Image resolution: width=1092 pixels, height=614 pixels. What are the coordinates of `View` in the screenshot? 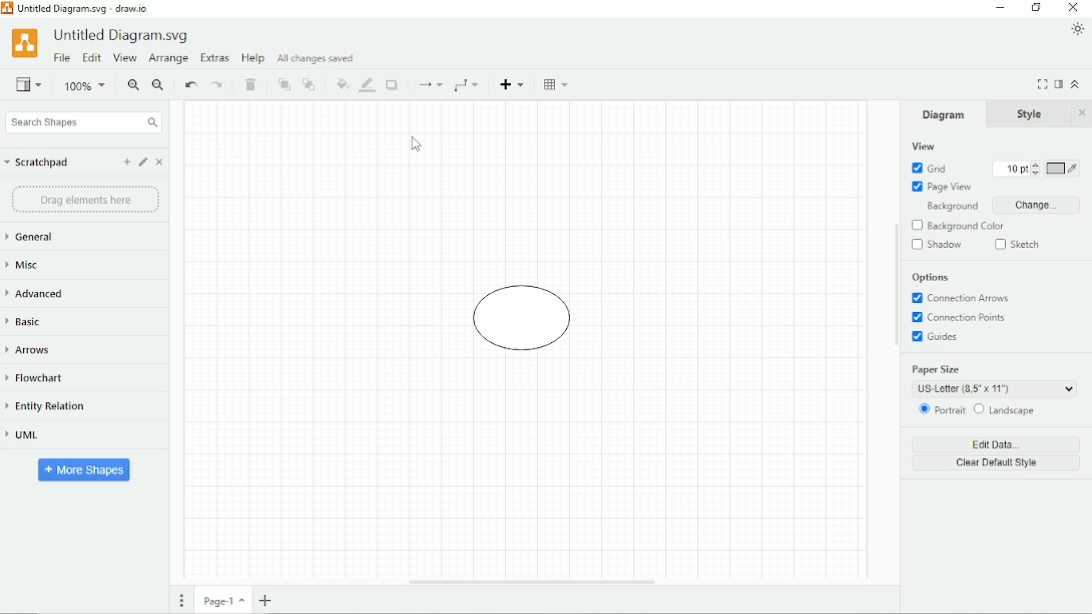 It's located at (922, 146).